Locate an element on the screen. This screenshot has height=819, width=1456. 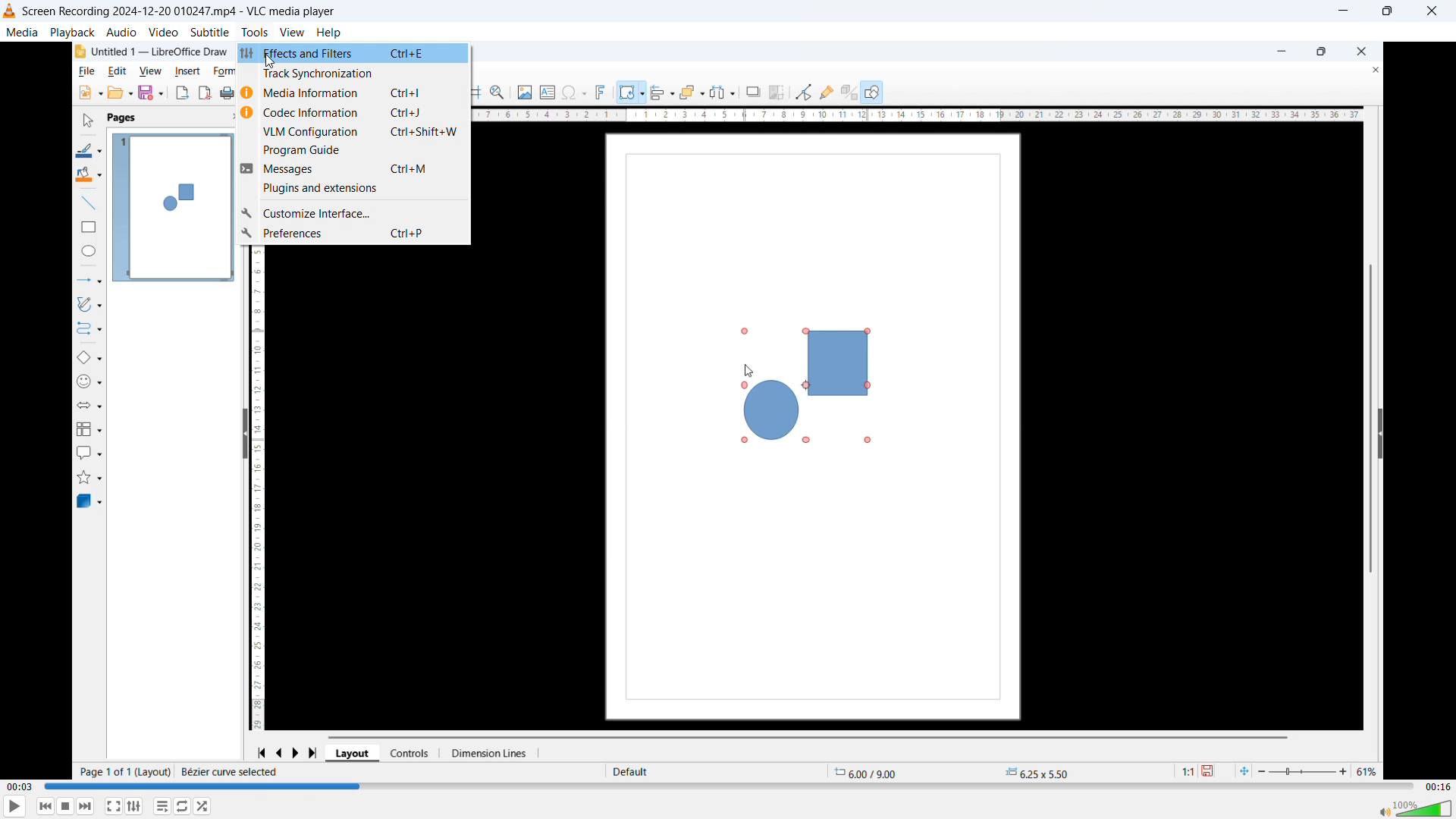
Show extended settings is located at coordinates (133, 807).